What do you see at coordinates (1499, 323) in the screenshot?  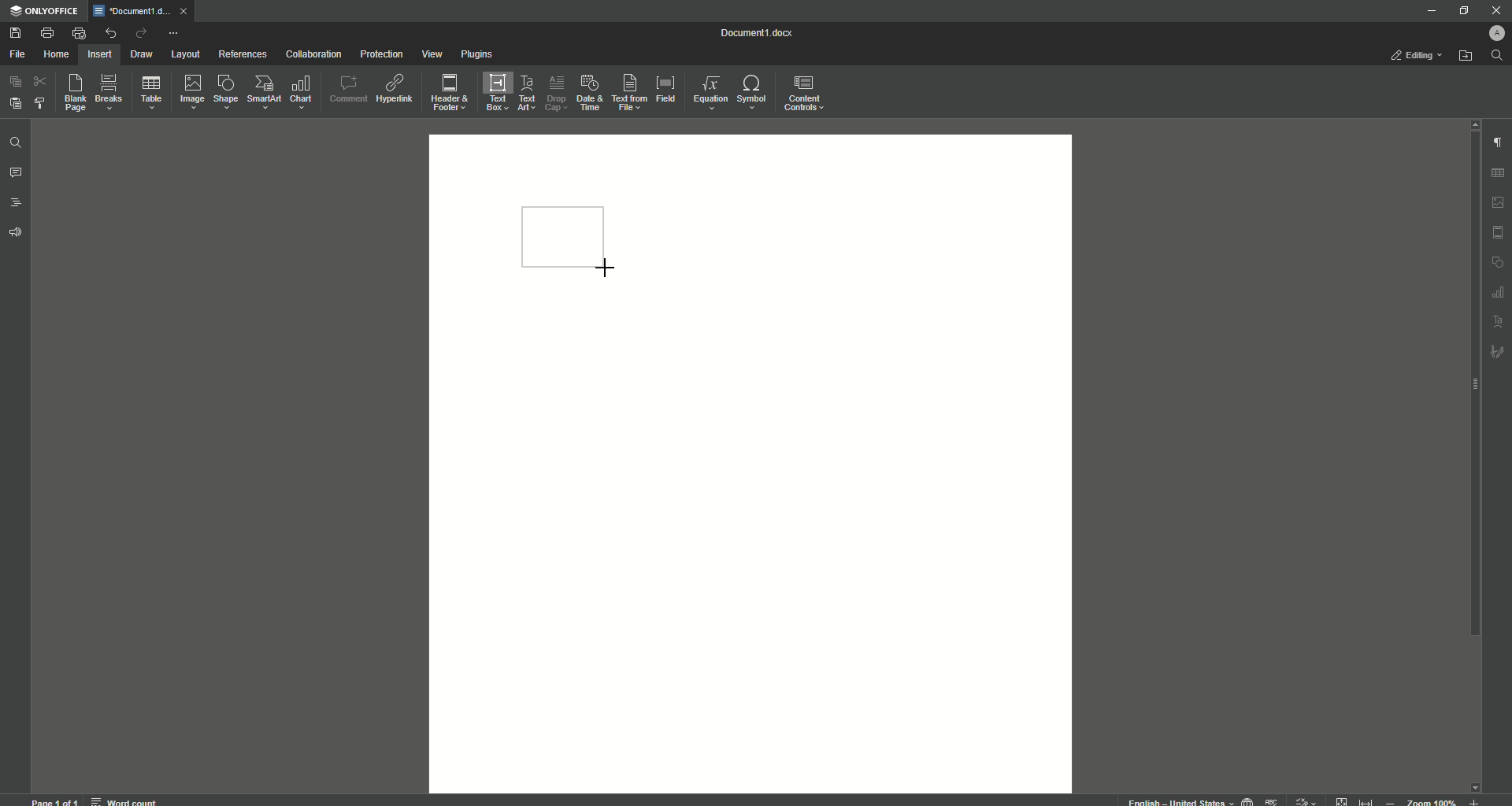 I see `text art` at bounding box center [1499, 323].